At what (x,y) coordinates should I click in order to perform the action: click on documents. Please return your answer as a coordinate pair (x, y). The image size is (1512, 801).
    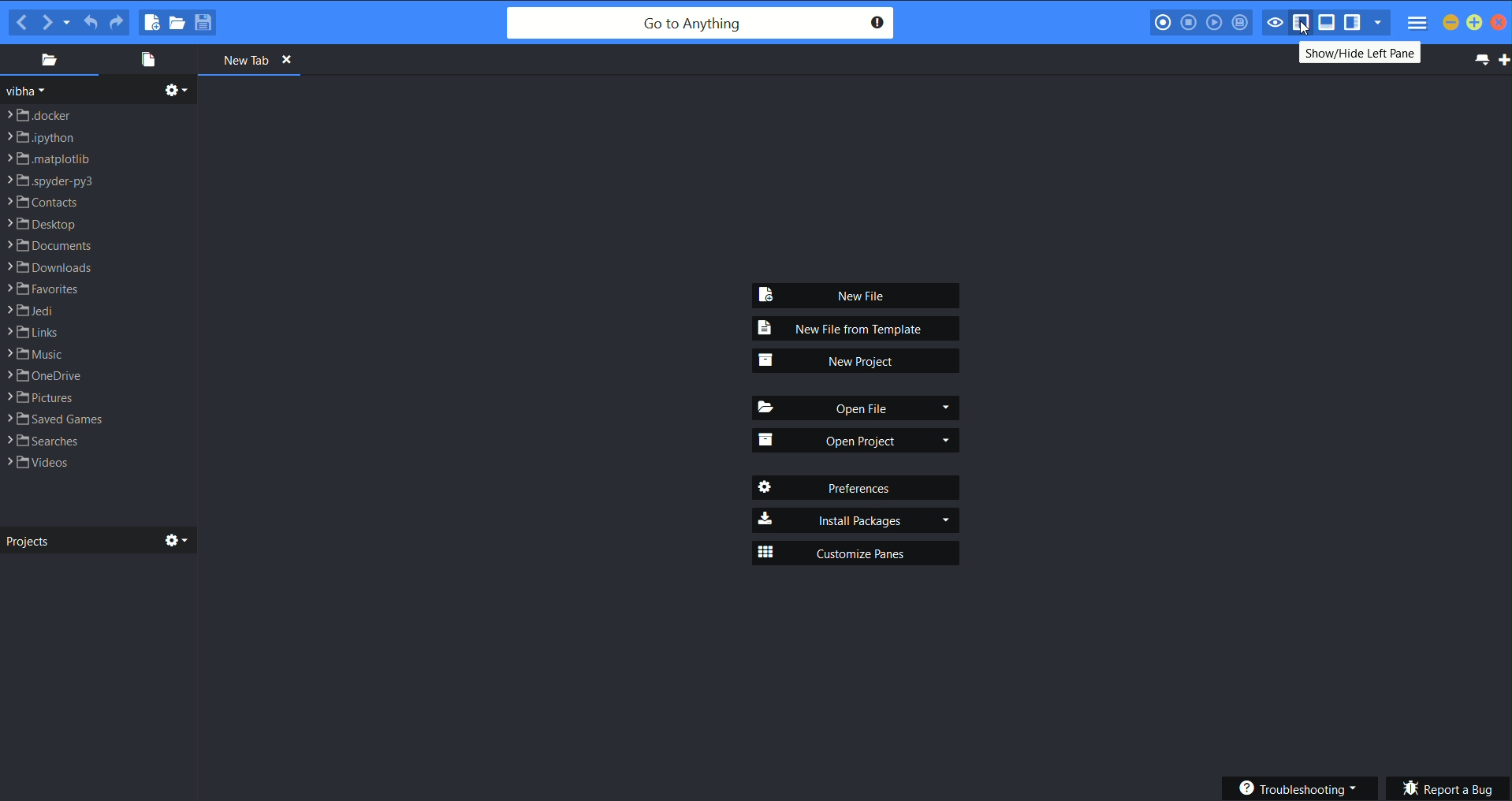
    Looking at the image, I should click on (50, 246).